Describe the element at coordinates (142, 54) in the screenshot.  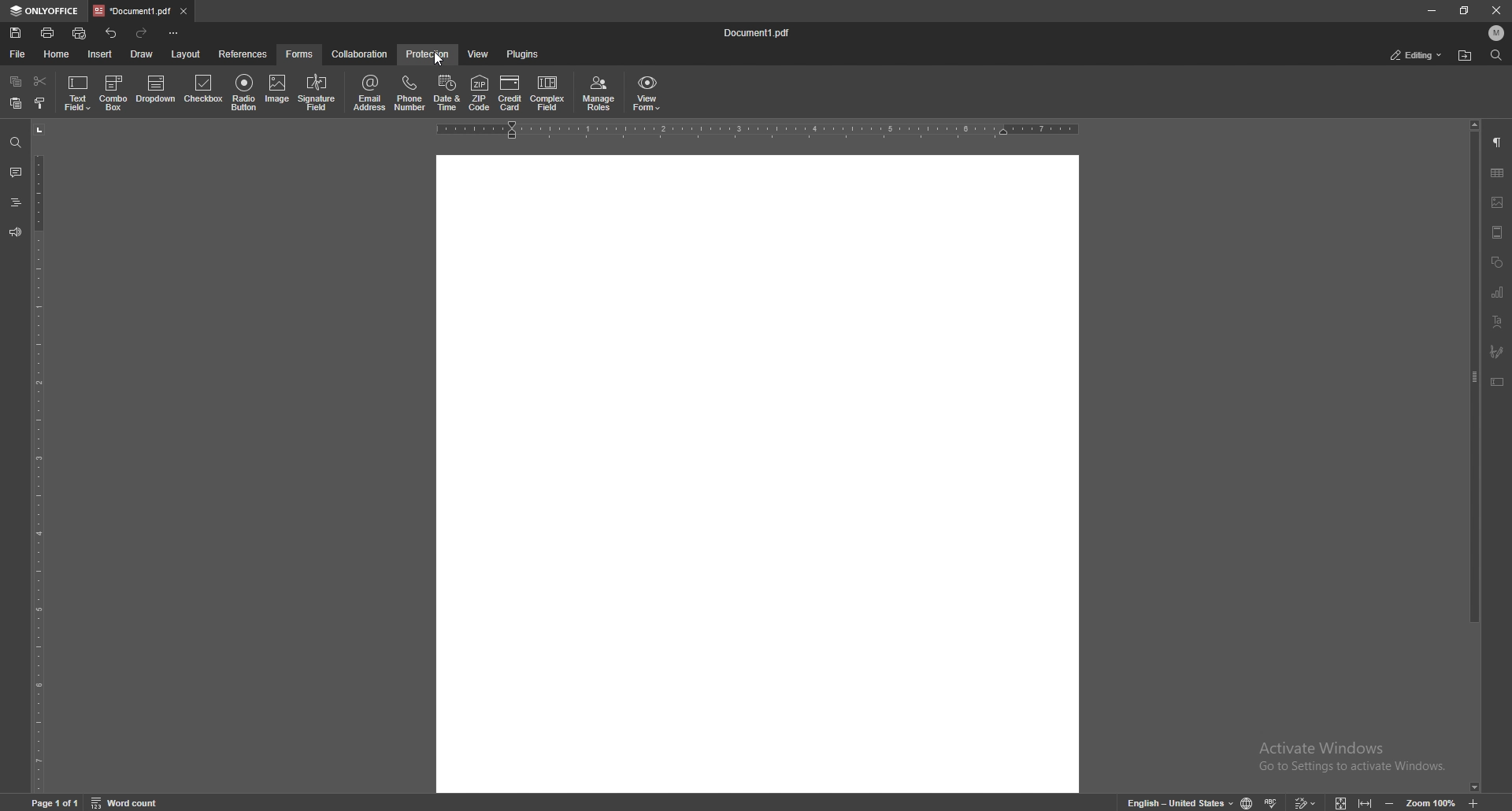
I see `draw` at that location.